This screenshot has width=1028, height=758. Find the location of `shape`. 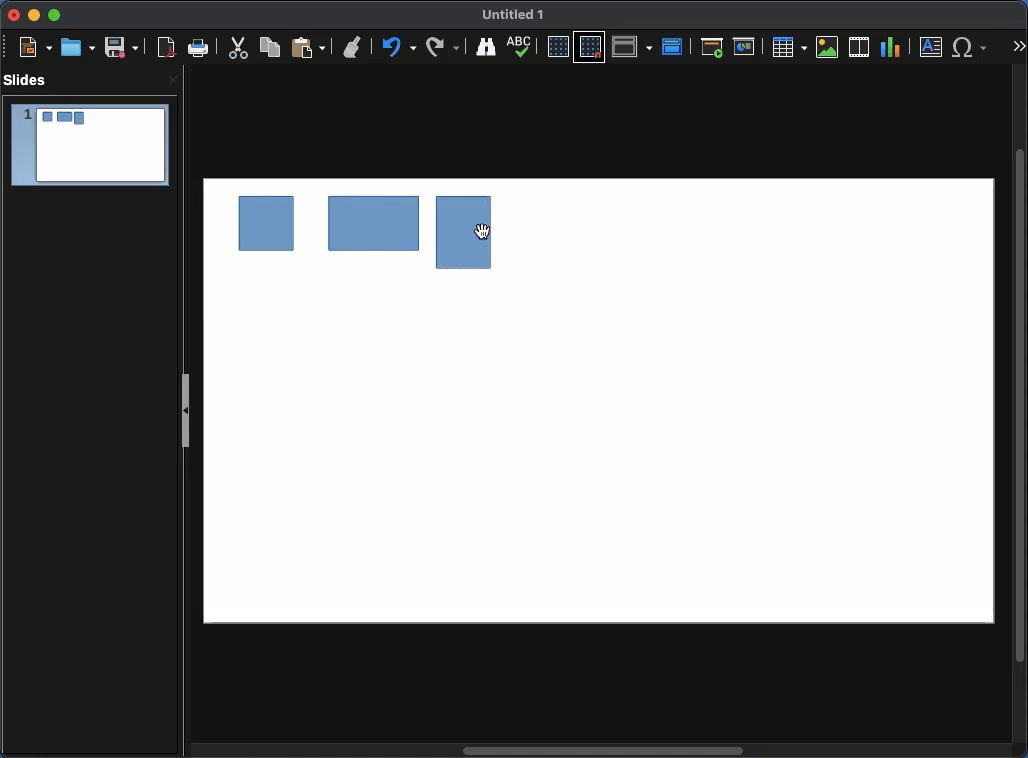

shape is located at coordinates (268, 228).